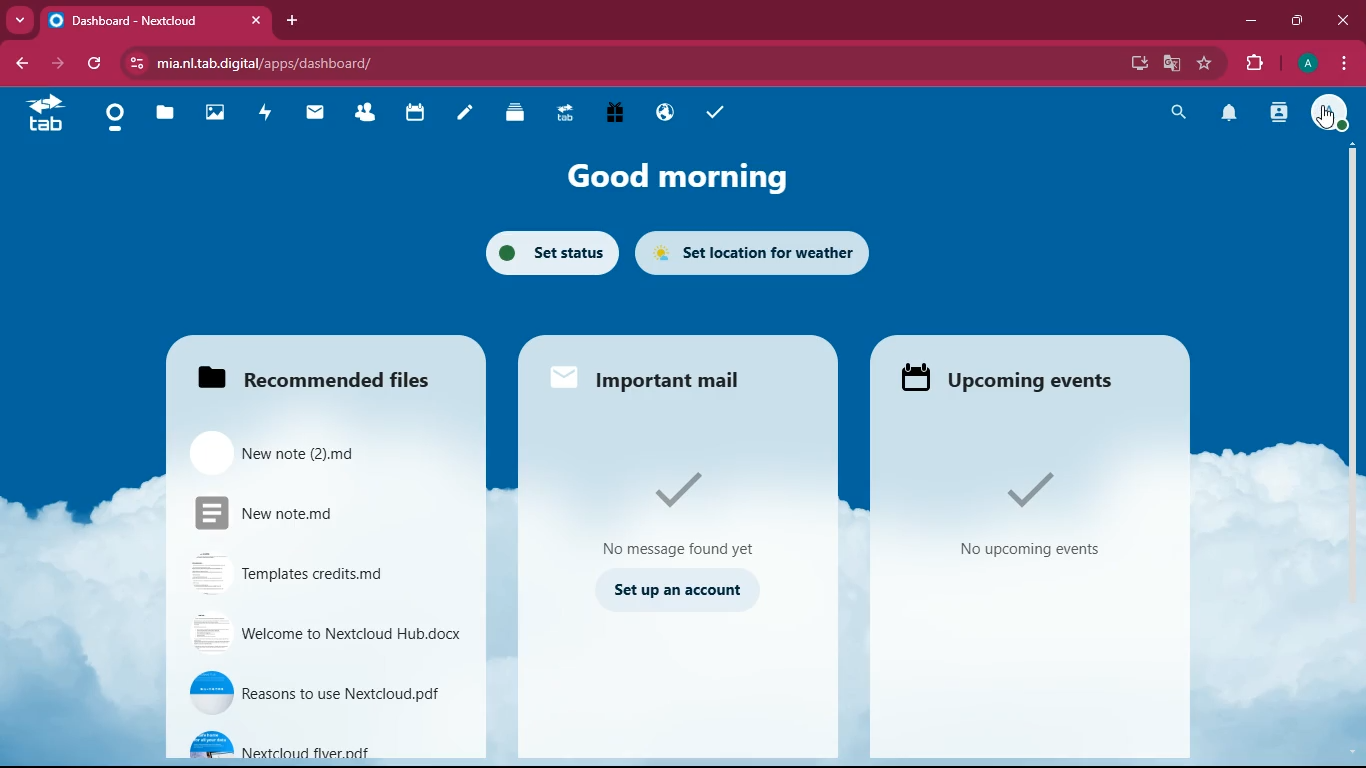  What do you see at coordinates (267, 112) in the screenshot?
I see `activity` at bounding box center [267, 112].